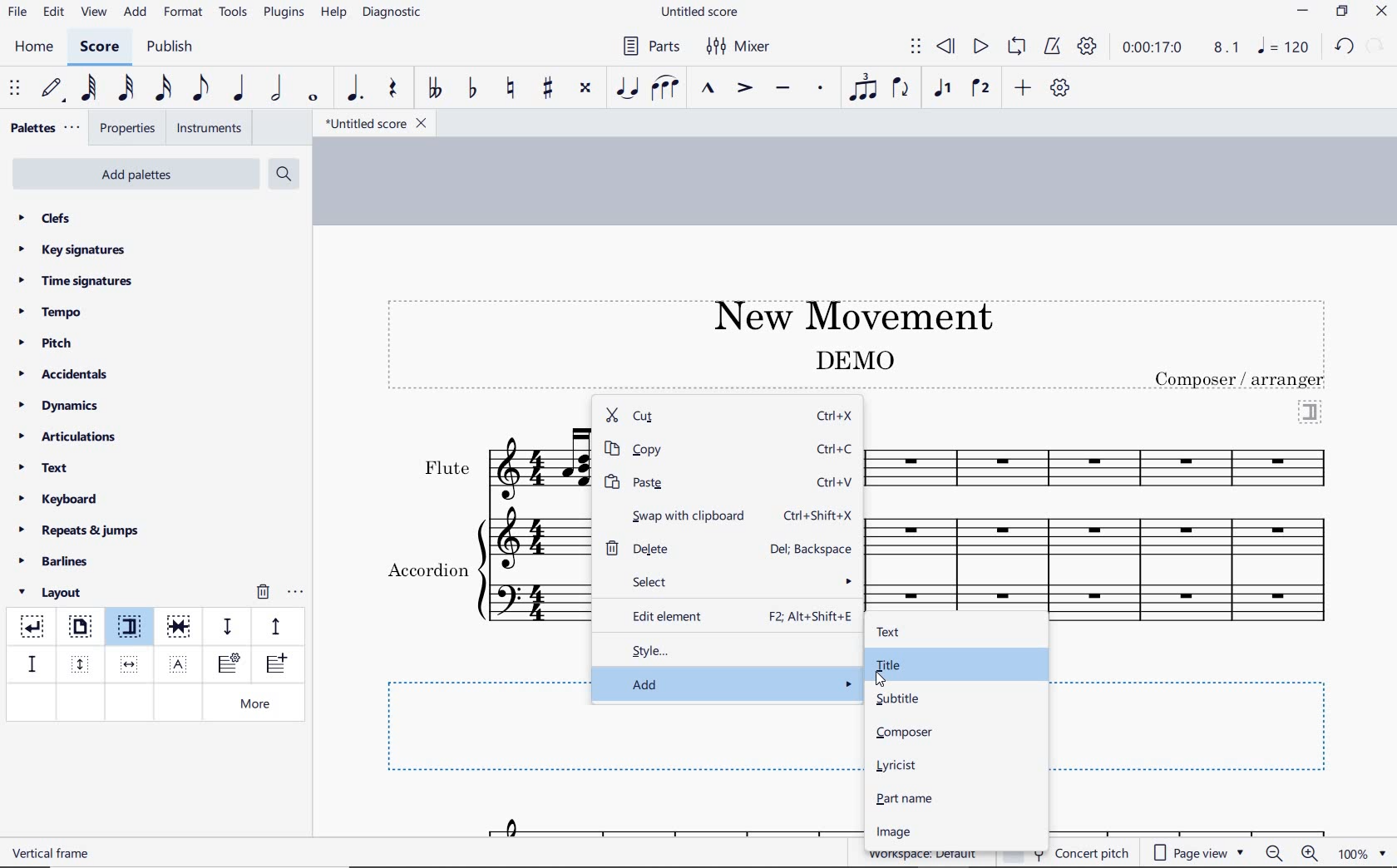 The width and height of the screenshot is (1397, 868). What do you see at coordinates (259, 705) in the screenshot?
I see `more` at bounding box center [259, 705].